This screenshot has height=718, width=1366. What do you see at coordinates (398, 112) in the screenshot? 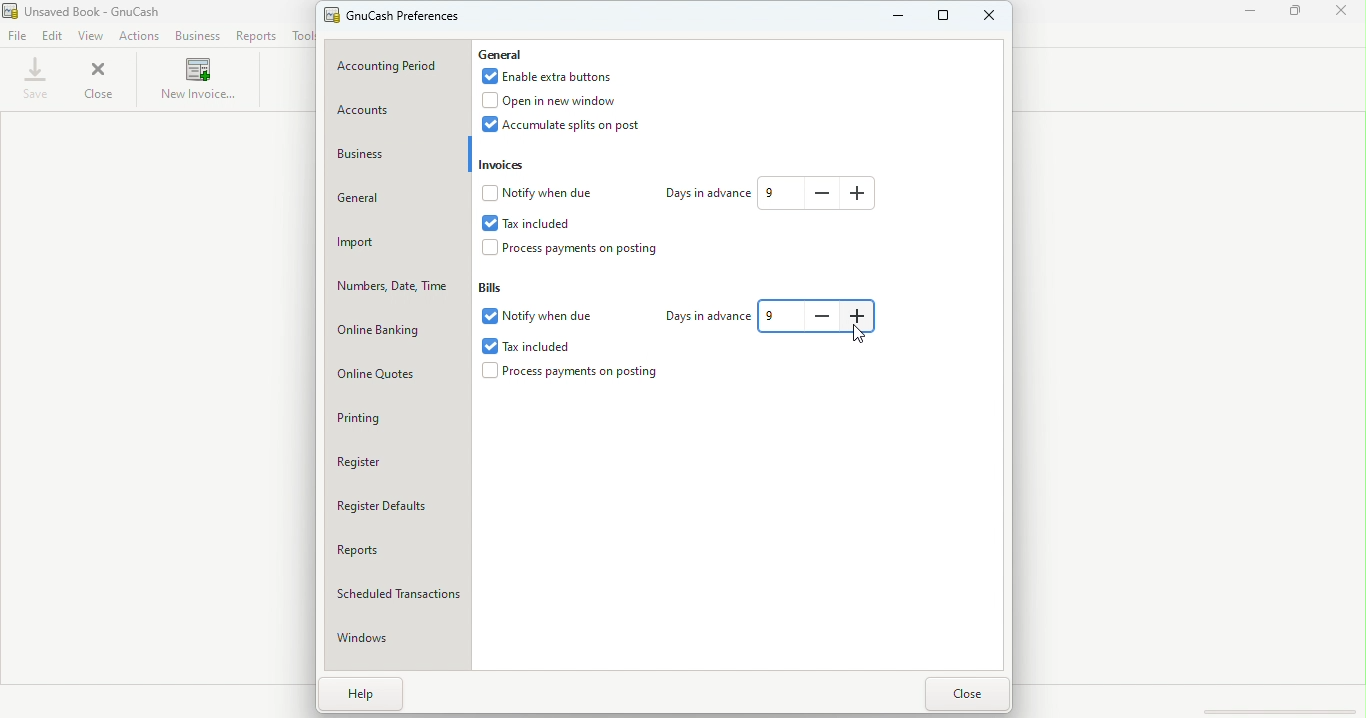
I see `Accounts` at bounding box center [398, 112].